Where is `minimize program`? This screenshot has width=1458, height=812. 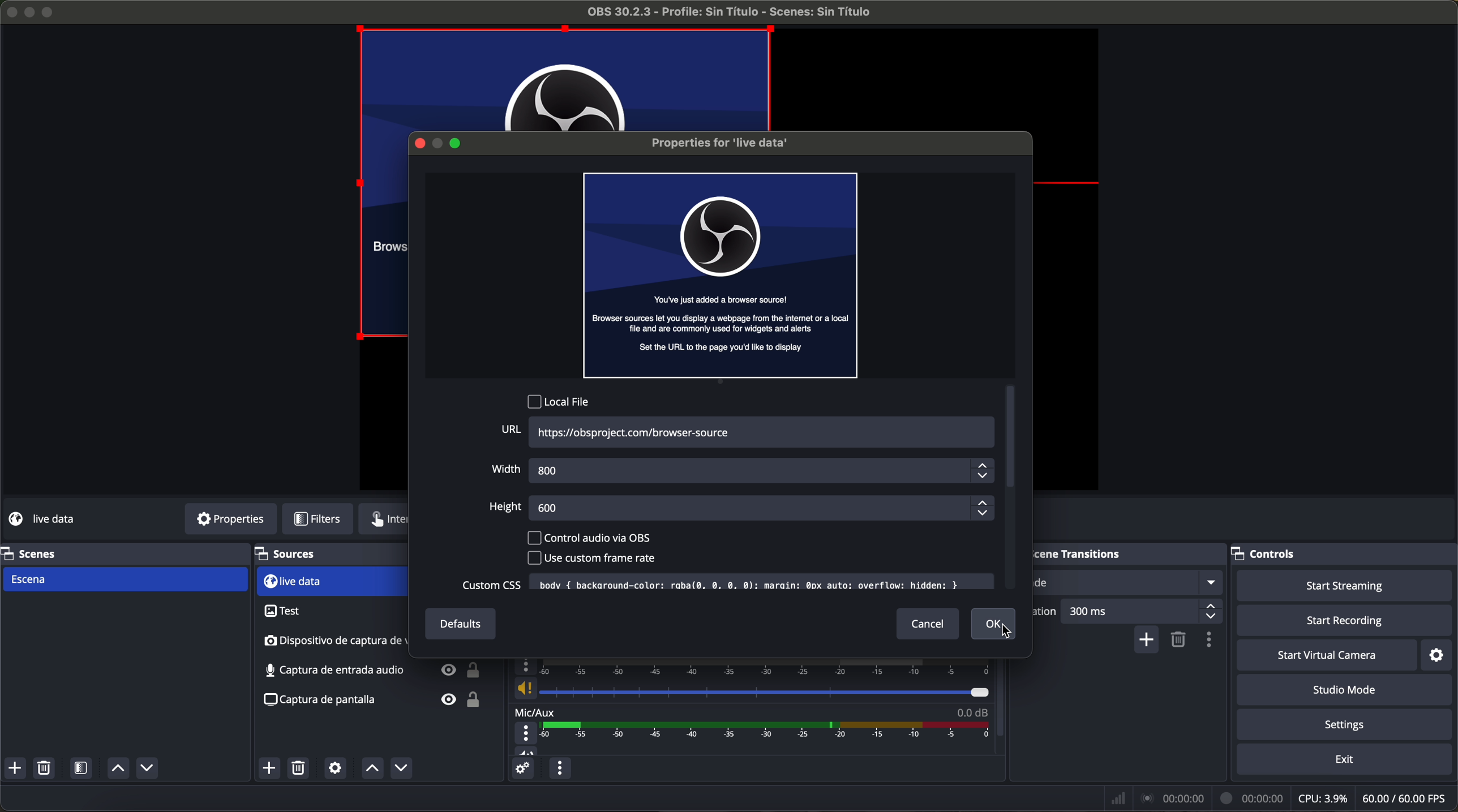
minimize program is located at coordinates (29, 14).